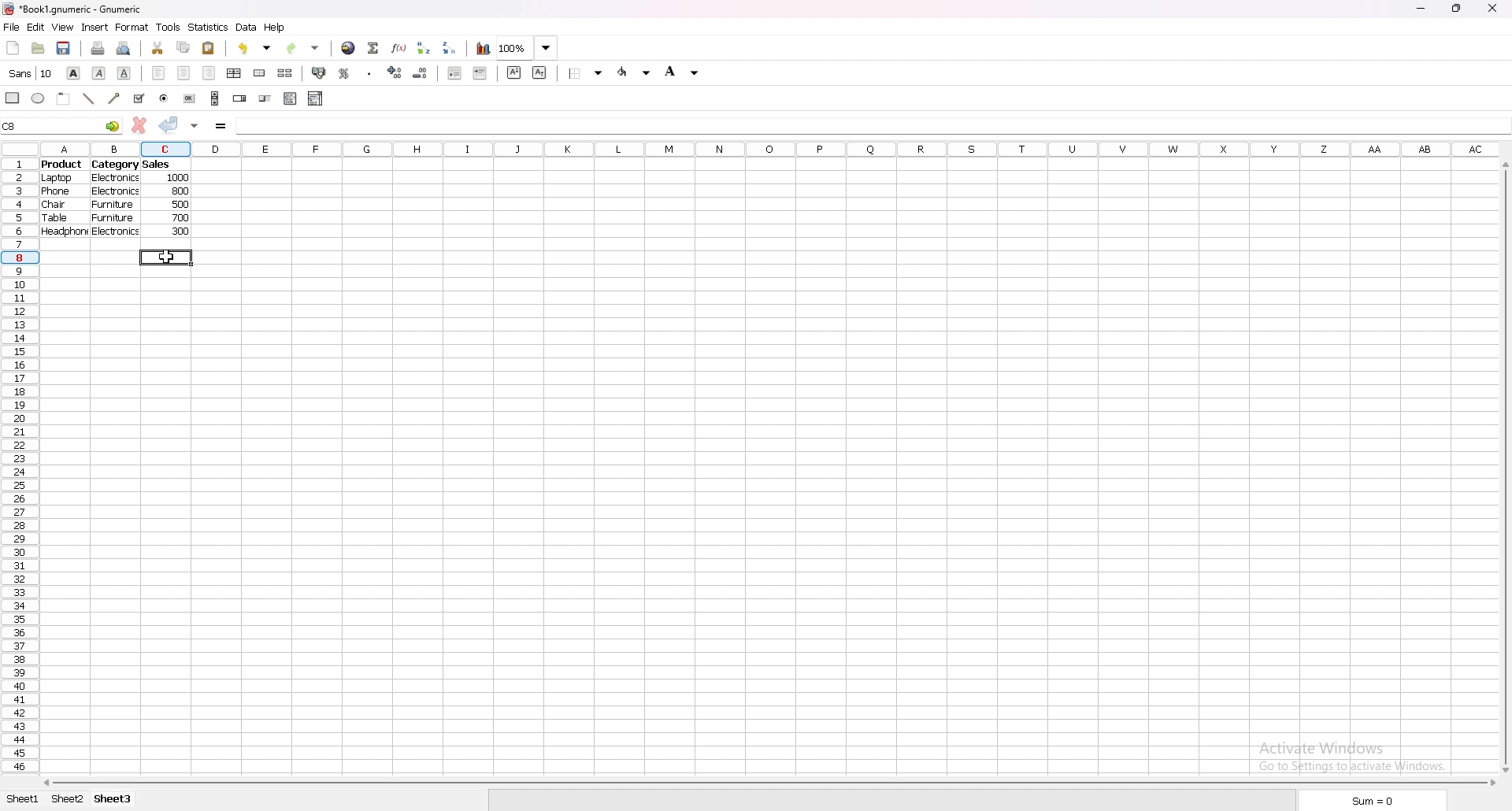 The height and width of the screenshot is (811, 1512). Describe the element at coordinates (166, 259) in the screenshot. I see `selected cell` at that location.